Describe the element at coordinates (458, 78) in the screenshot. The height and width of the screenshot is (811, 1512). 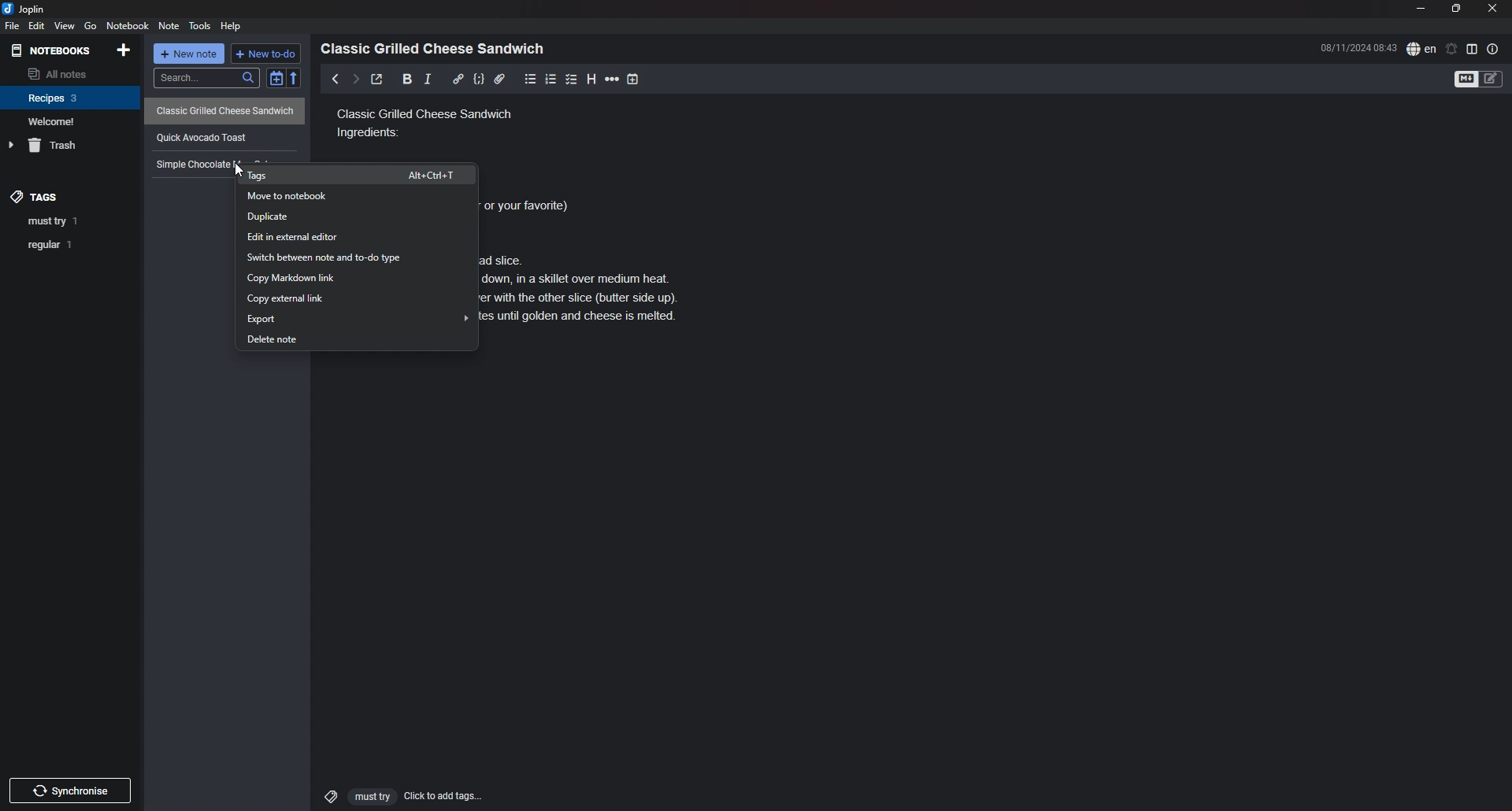
I see `hyperlink` at that location.